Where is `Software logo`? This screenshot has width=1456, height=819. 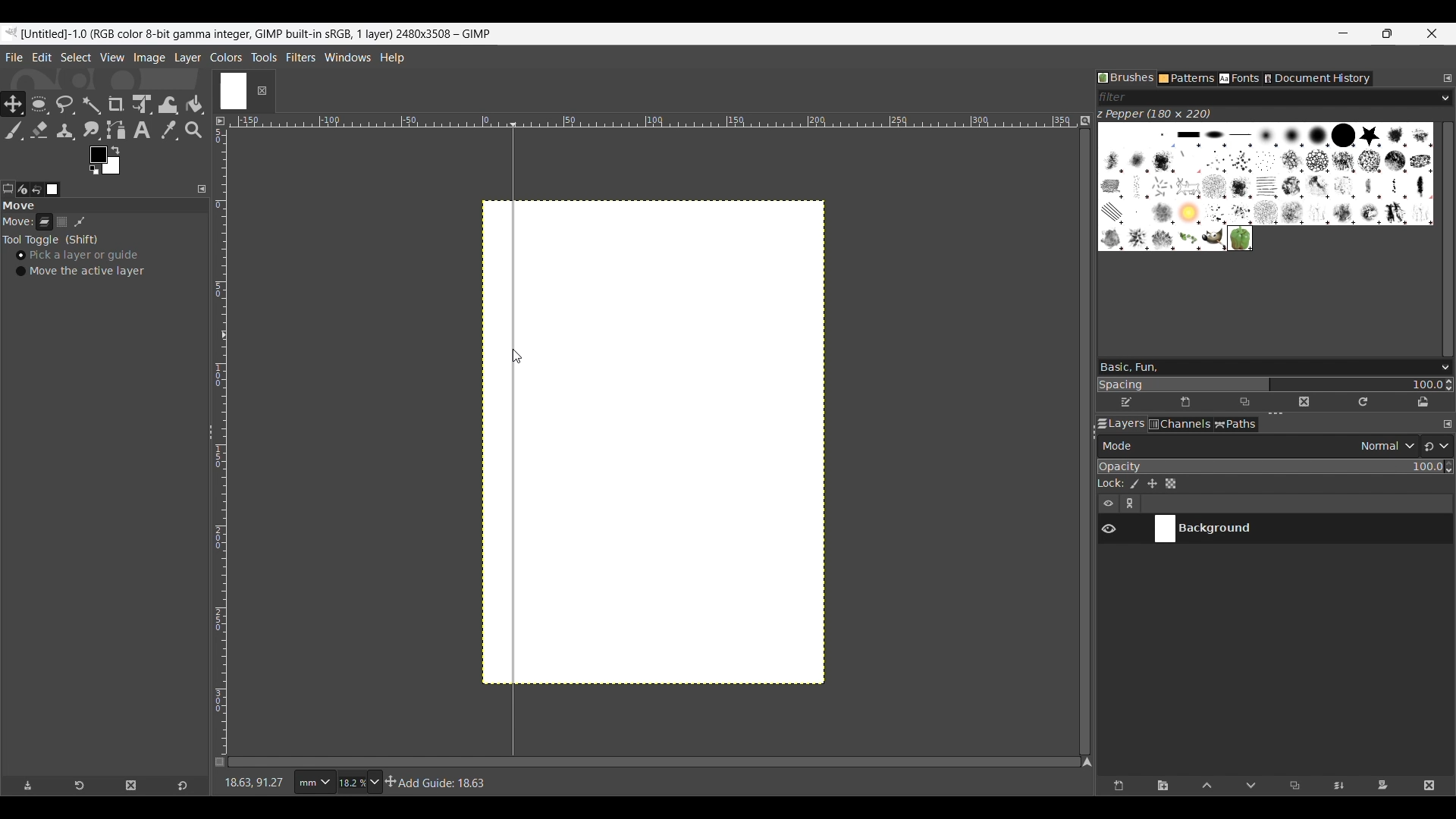
Software logo is located at coordinates (11, 33).